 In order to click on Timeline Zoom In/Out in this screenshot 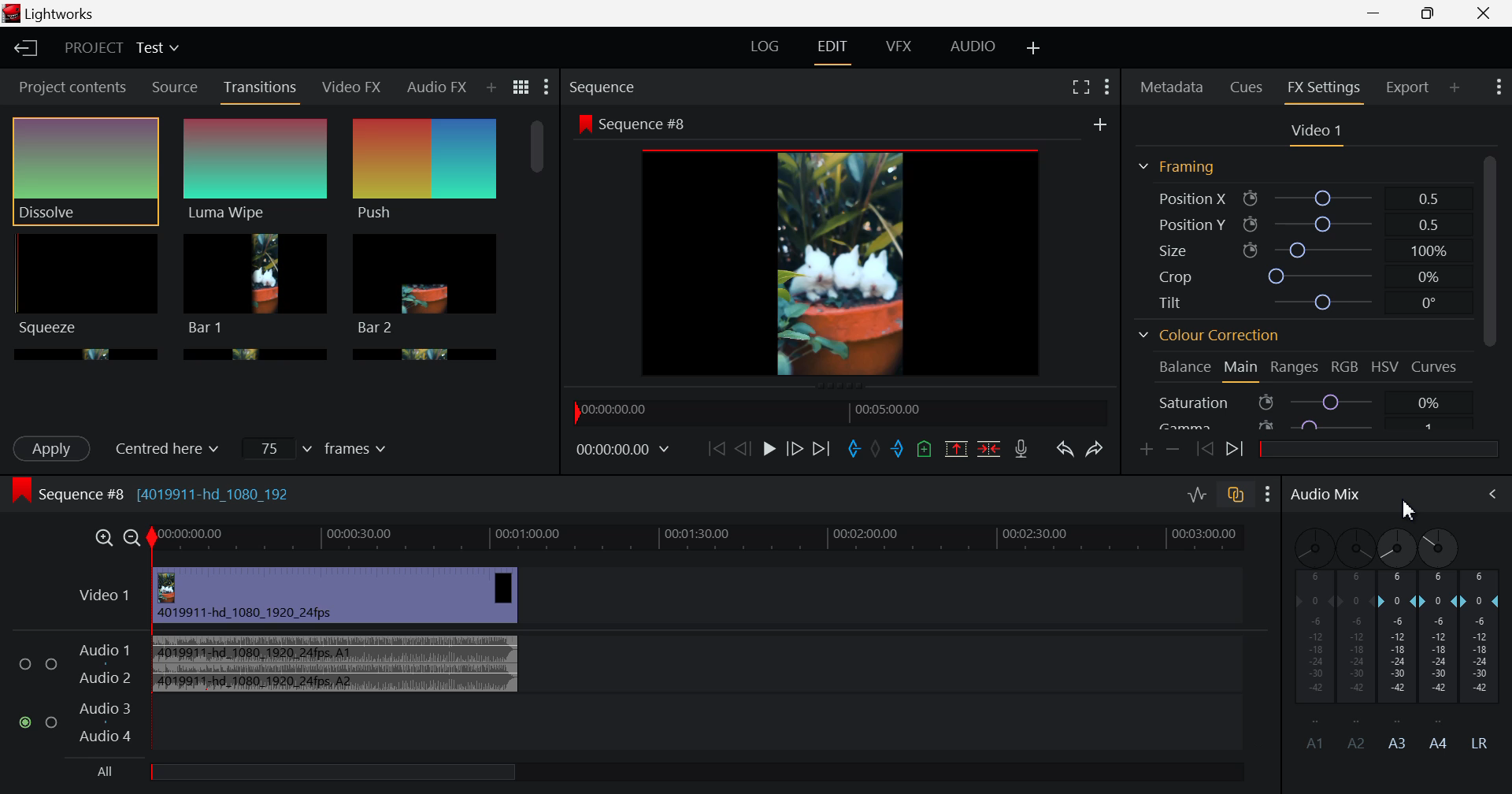, I will do `click(114, 538)`.